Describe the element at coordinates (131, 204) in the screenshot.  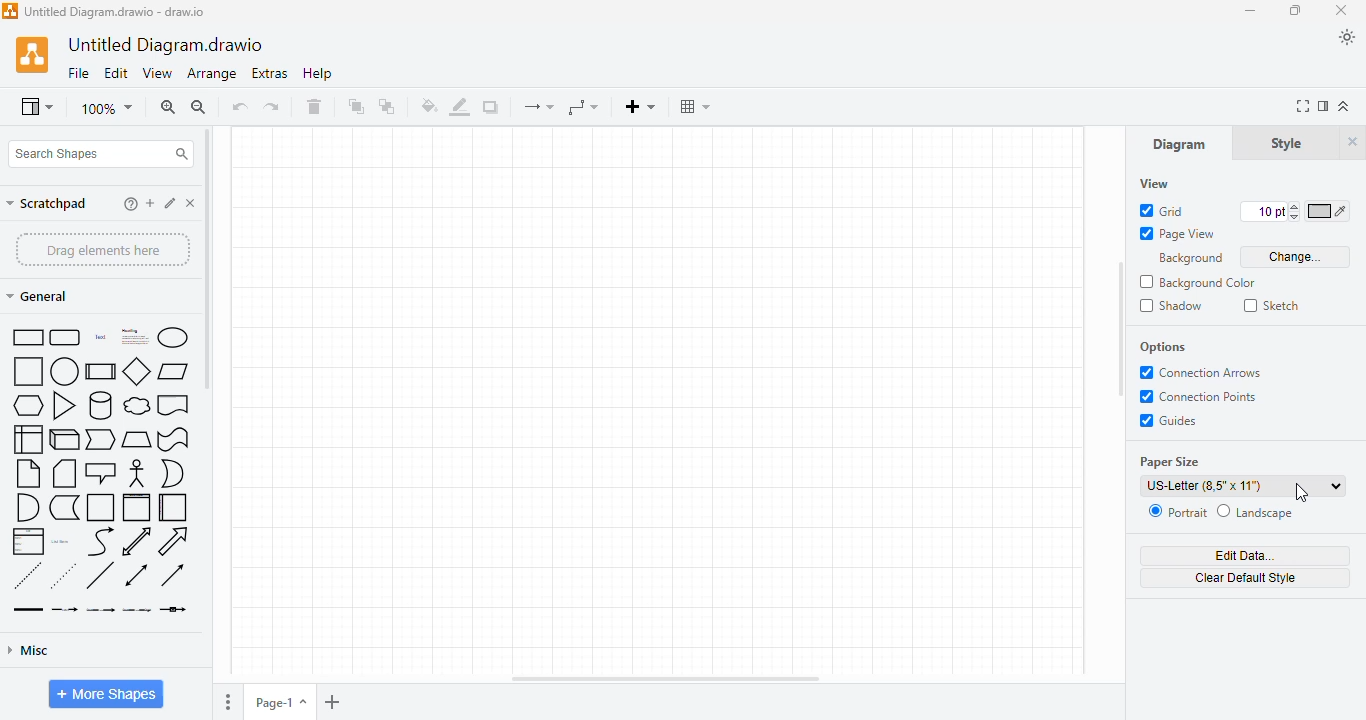
I see `help` at that location.